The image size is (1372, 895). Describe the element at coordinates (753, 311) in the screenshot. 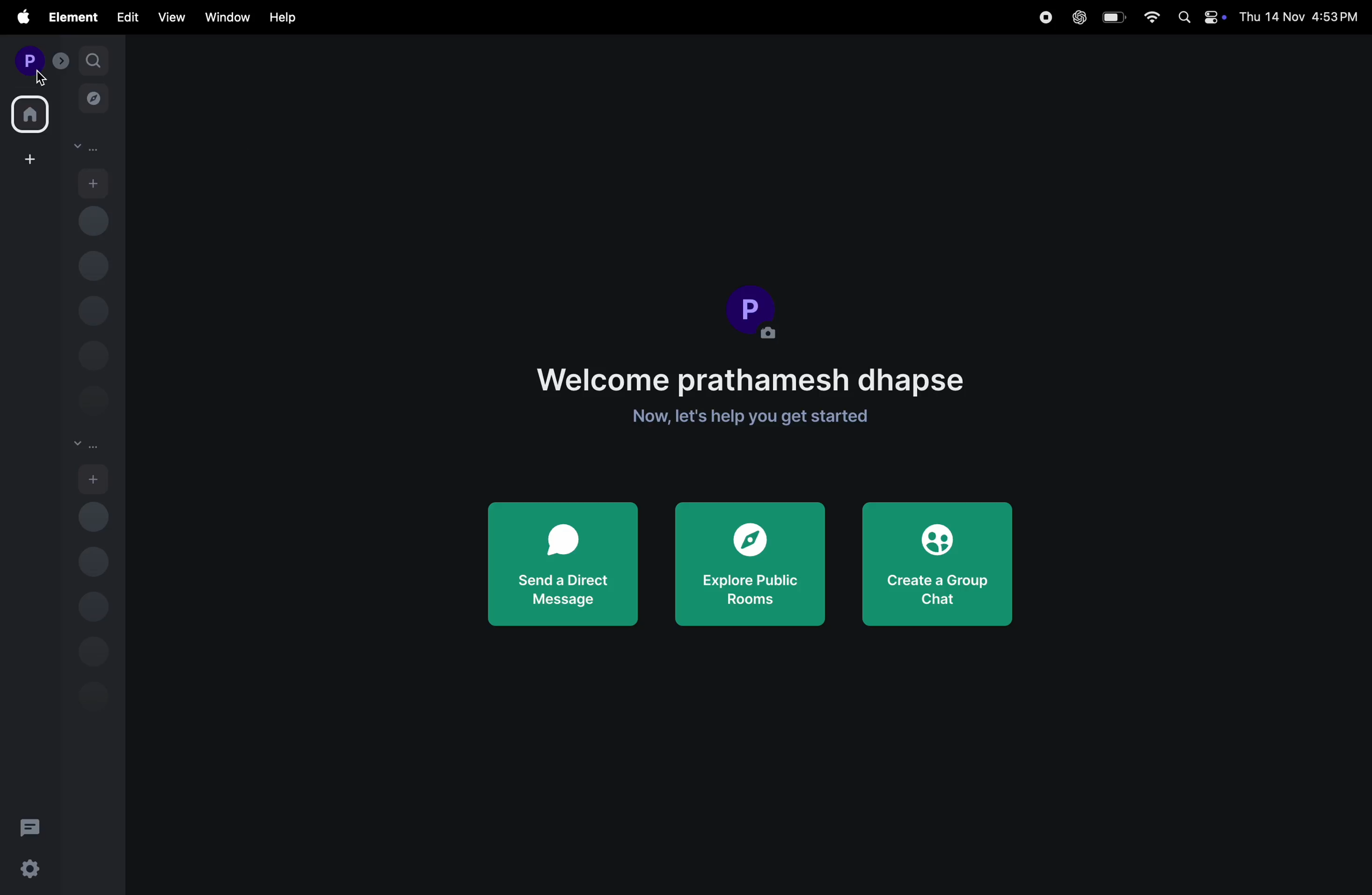

I see `display pic` at that location.